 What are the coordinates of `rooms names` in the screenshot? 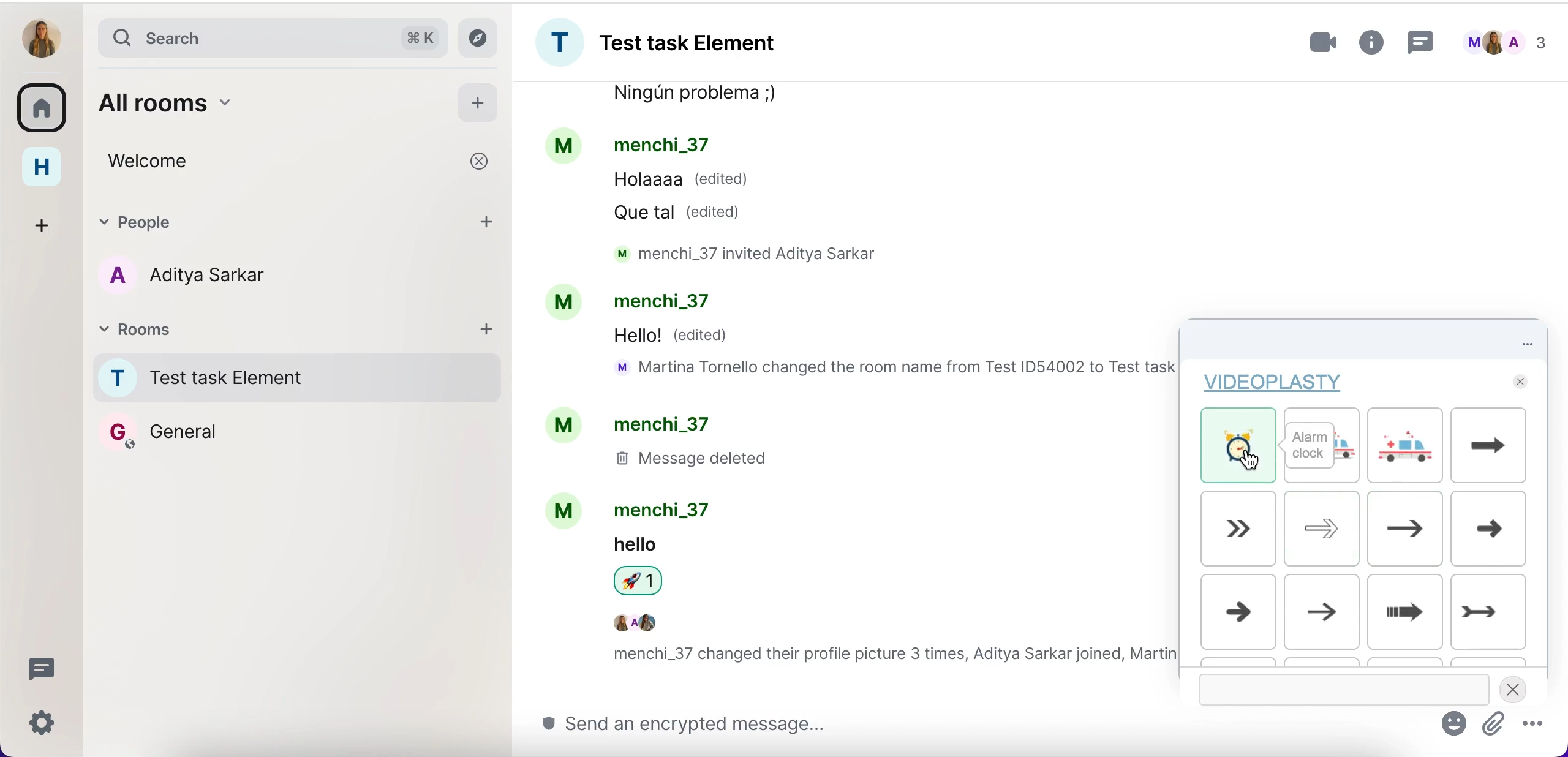 It's located at (289, 409).